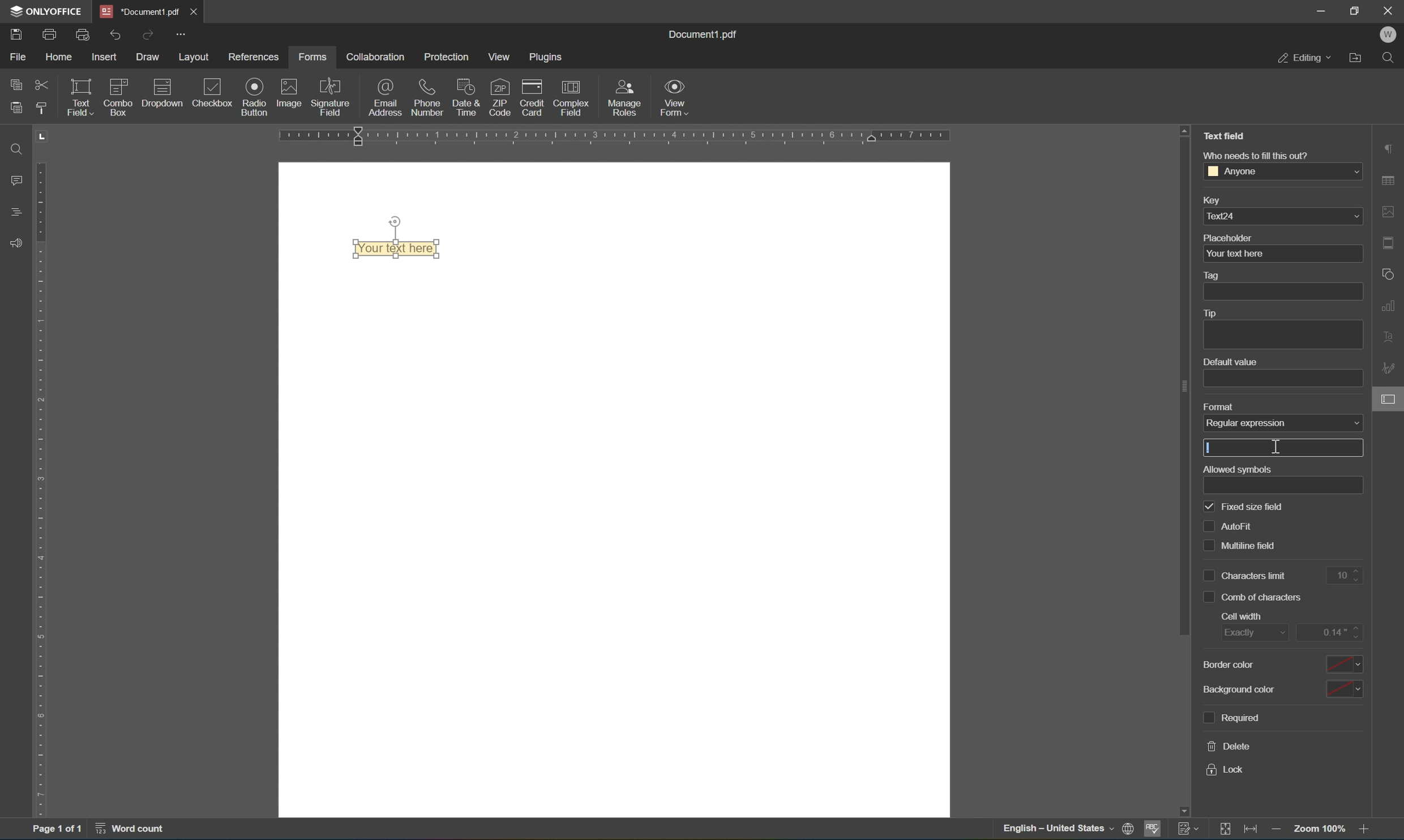 The width and height of the screenshot is (1404, 840). Describe the element at coordinates (79, 96) in the screenshot. I see `text field` at that location.